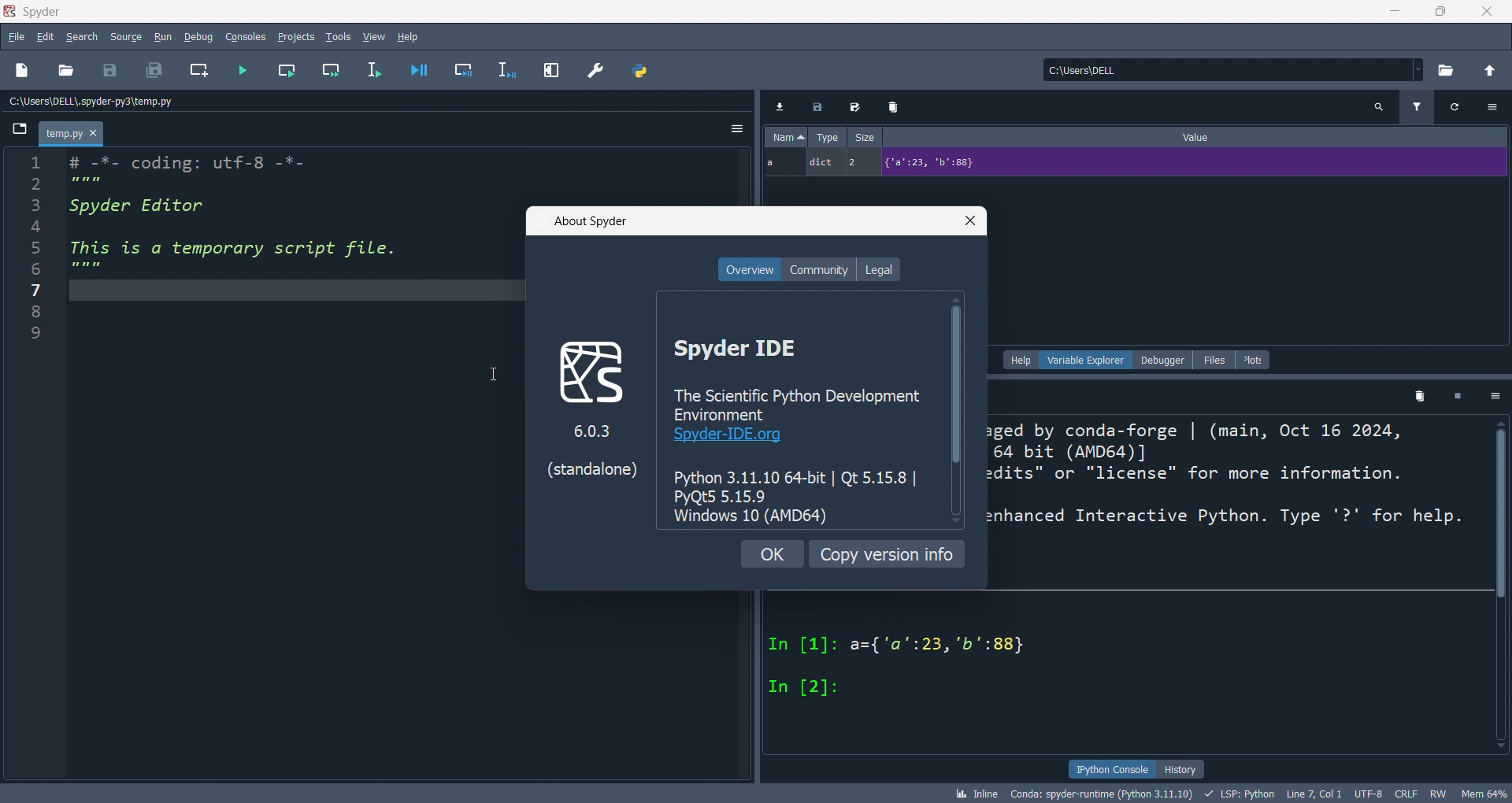  What do you see at coordinates (588, 221) in the screenshot?
I see `about spyder title bat` at bounding box center [588, 221].